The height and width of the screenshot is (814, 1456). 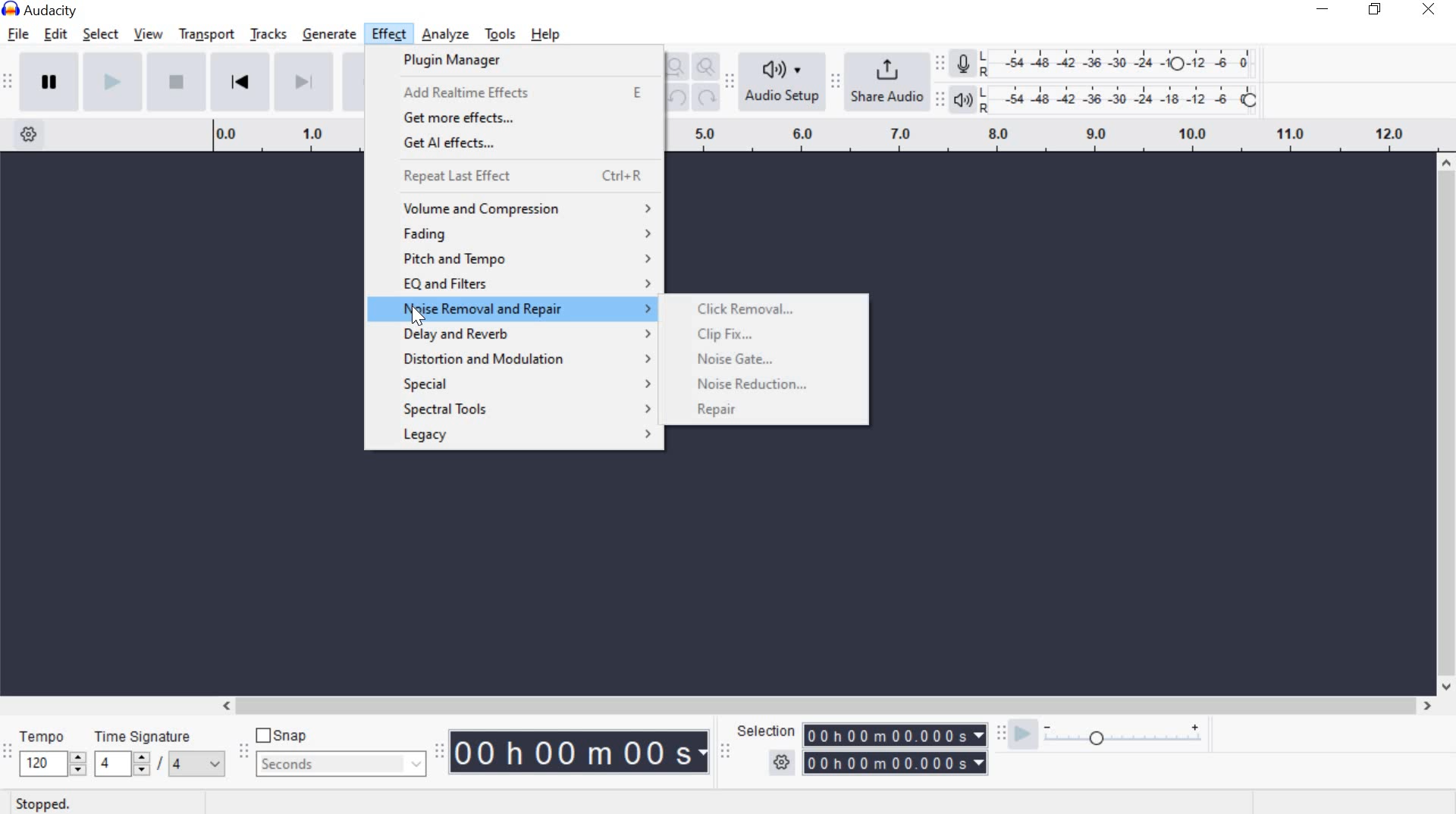 I want to click on special, so click(x=527, y=385).